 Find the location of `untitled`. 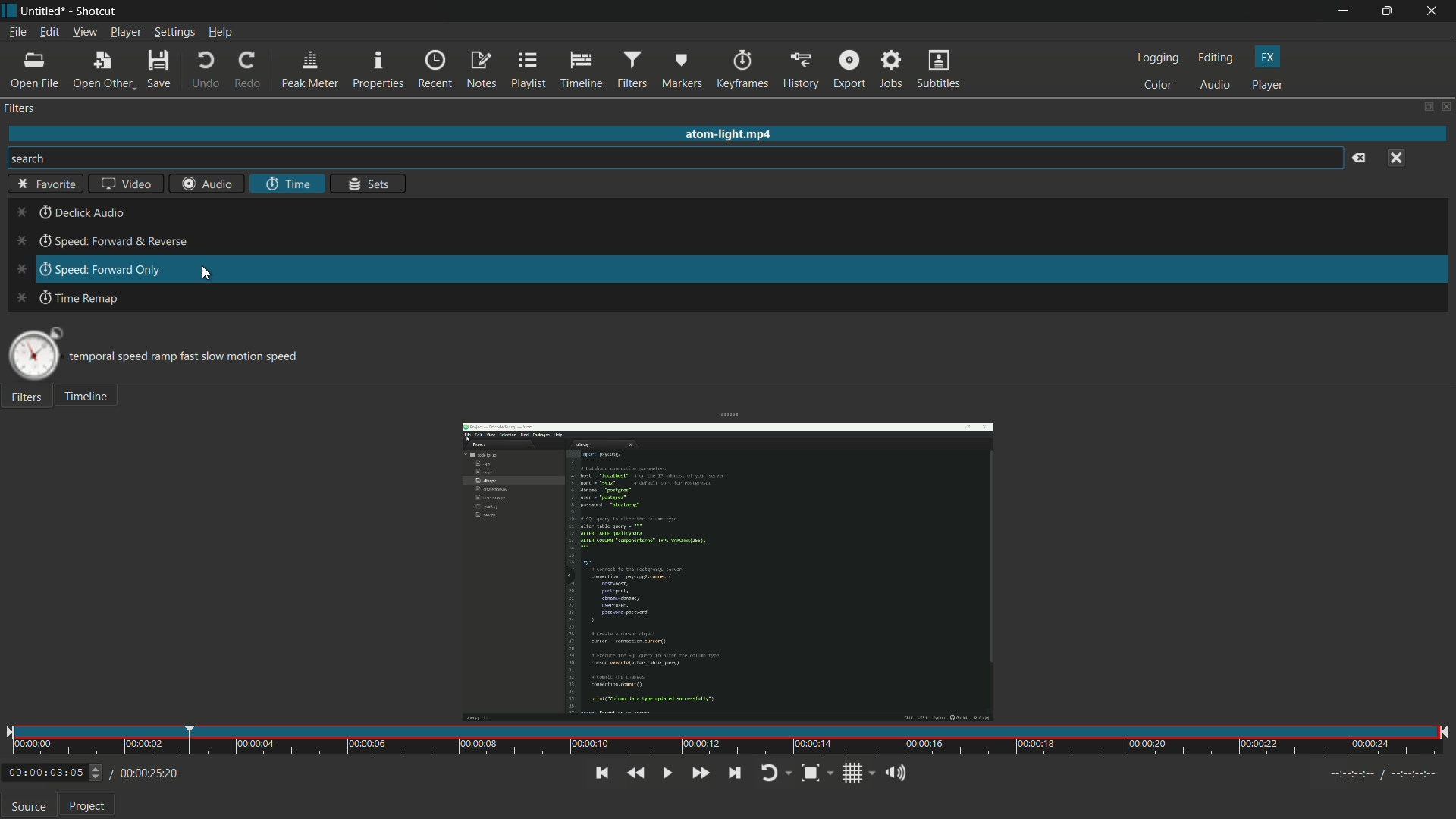

untitled is located at coordinates (44, 10).